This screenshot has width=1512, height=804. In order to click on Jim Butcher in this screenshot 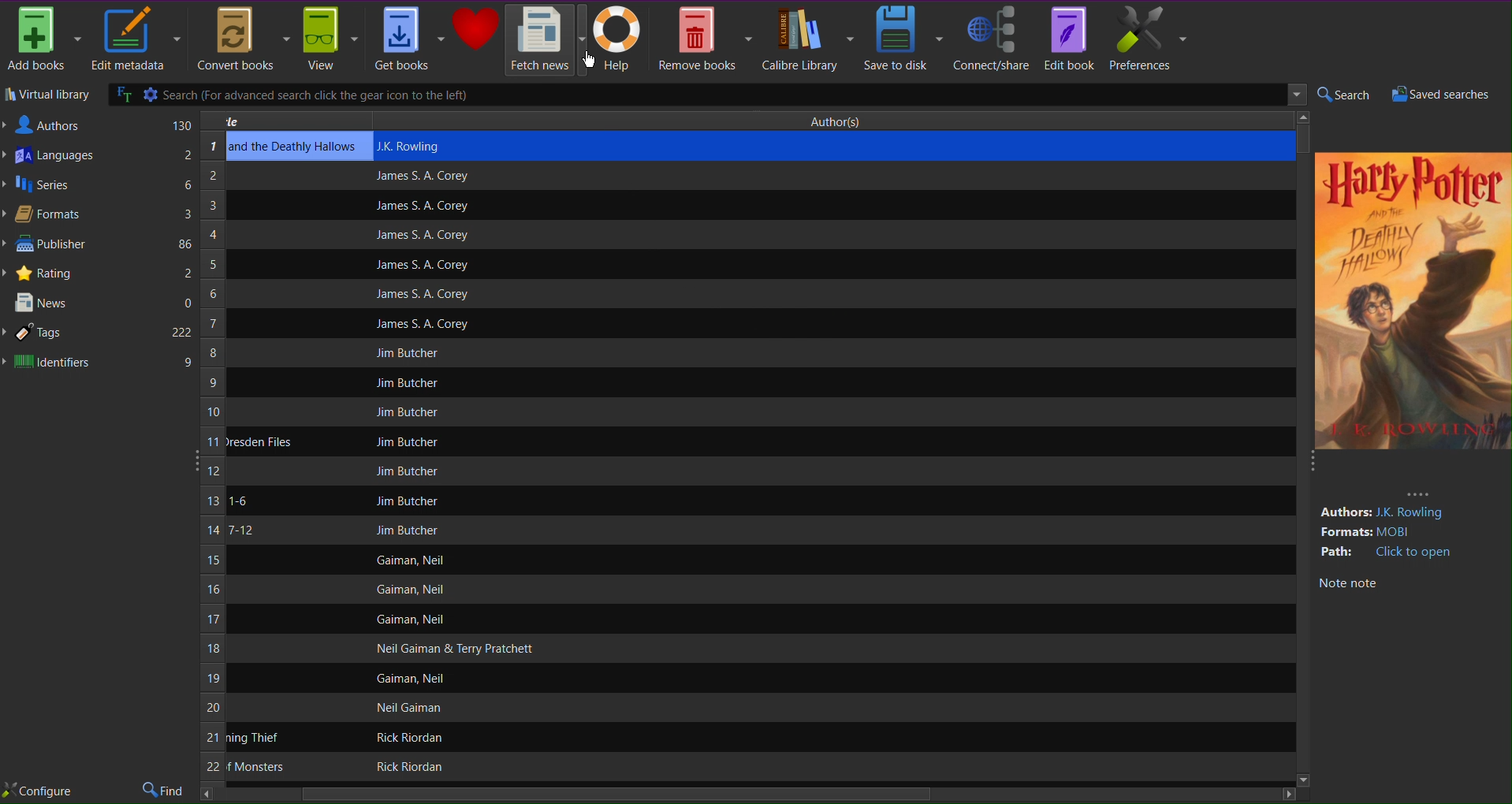, I will do `click(408, 501)`.